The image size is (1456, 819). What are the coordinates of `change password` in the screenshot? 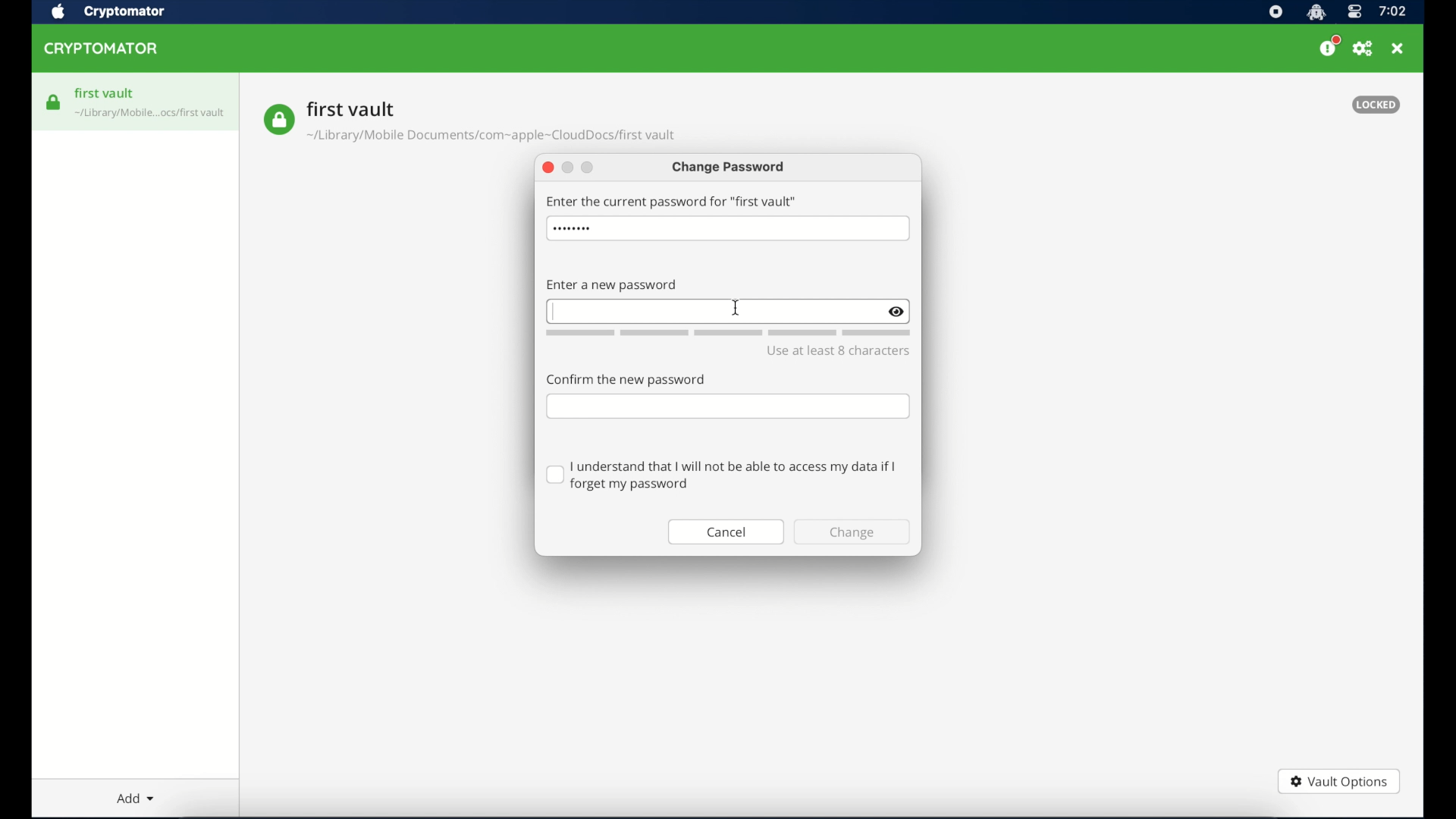 It's located at (730, 168).